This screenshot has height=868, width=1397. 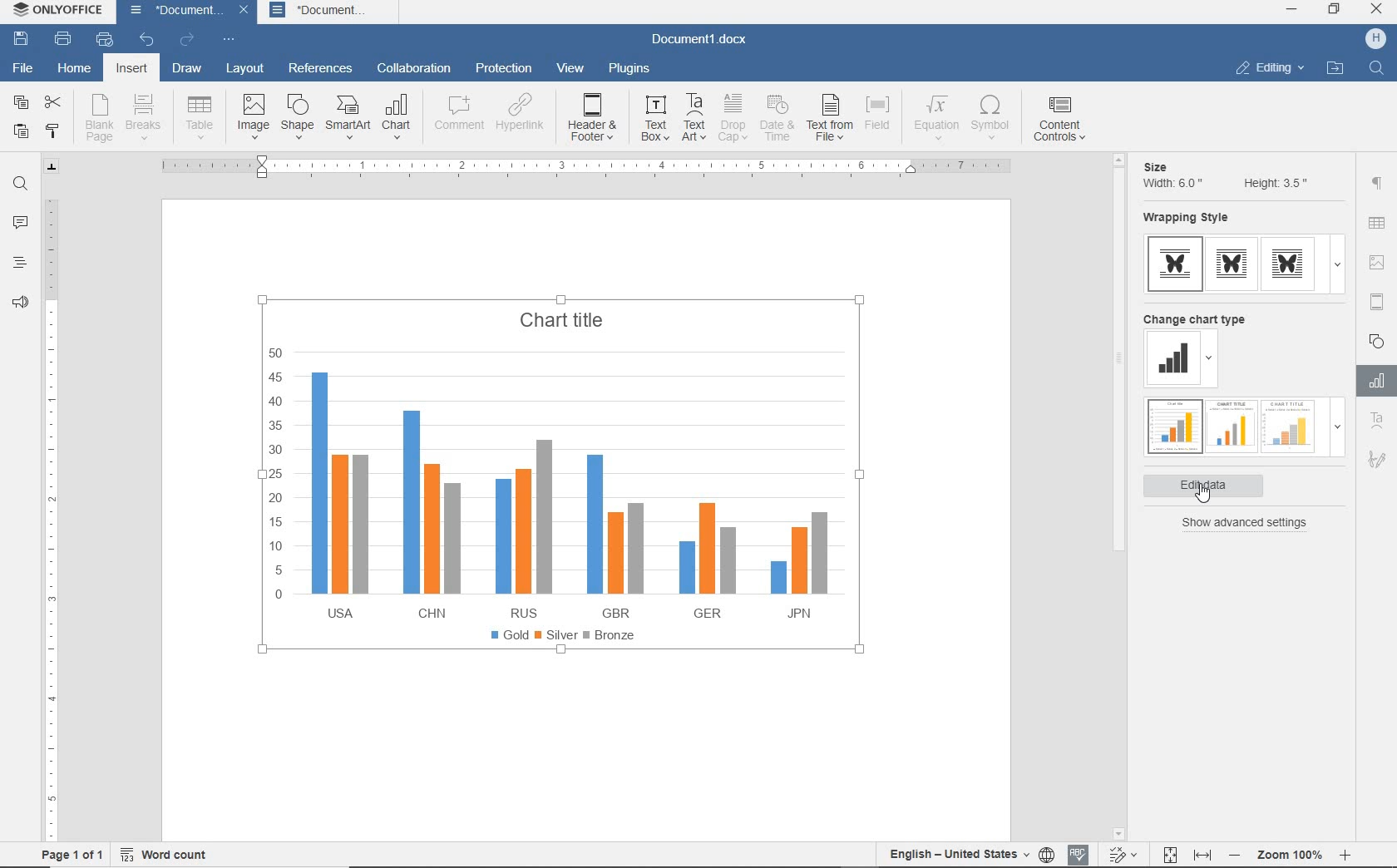 What do you see at coordinates (22, 184) in the screenshot?
I see `find` at bounding box center [22, 184].